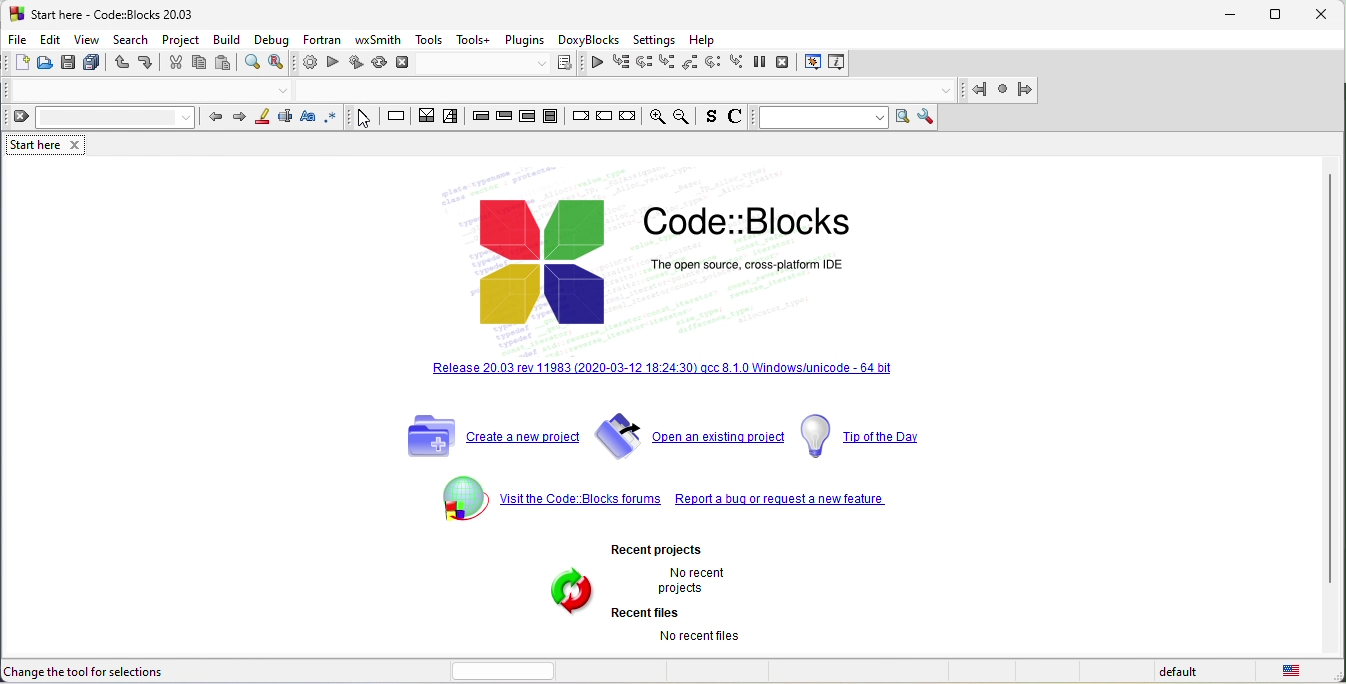  Describe the element at coordinates (691, 65) in the screenshot. I see `step out` at that location.